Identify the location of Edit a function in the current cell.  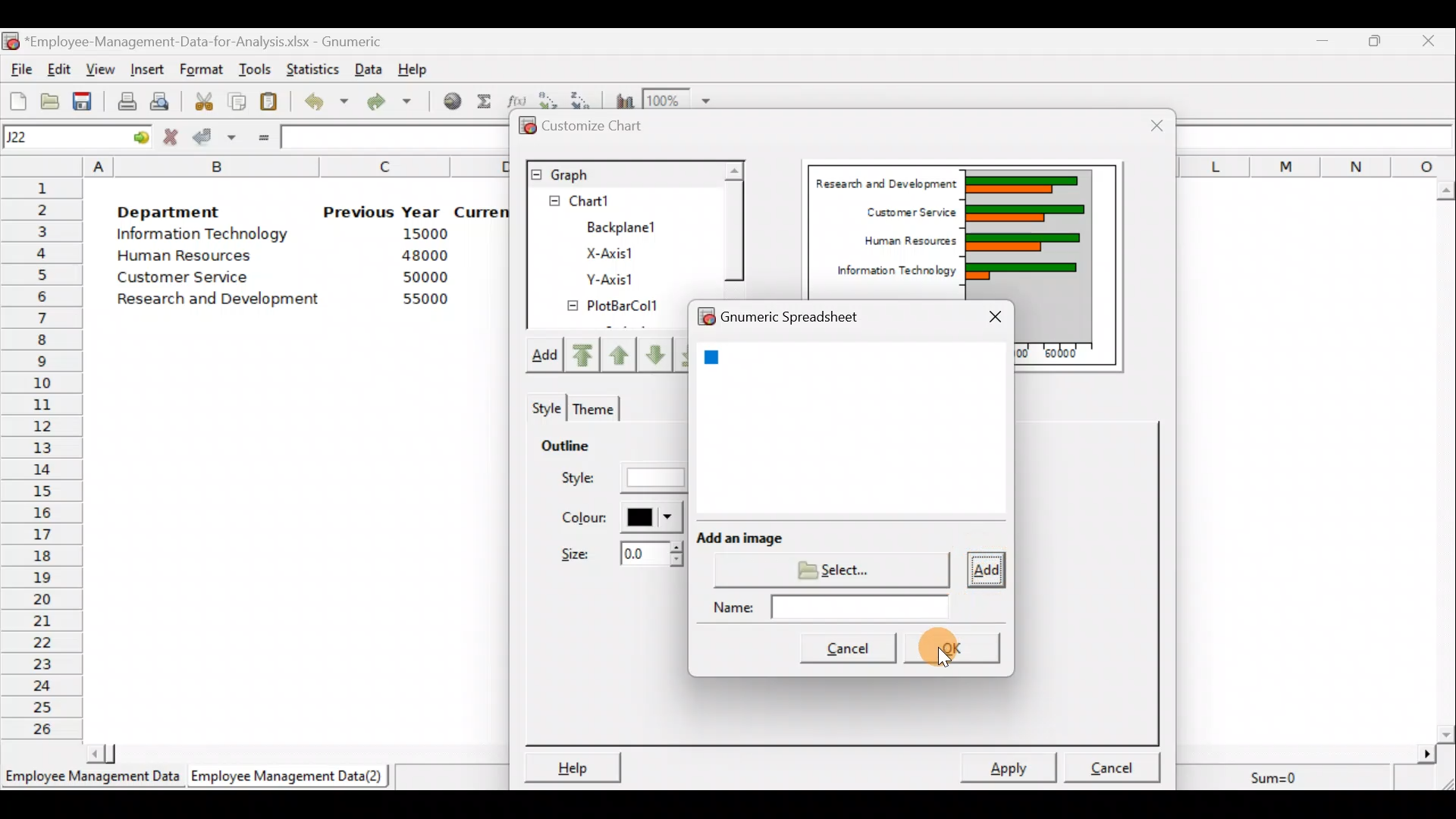
(517, 99).